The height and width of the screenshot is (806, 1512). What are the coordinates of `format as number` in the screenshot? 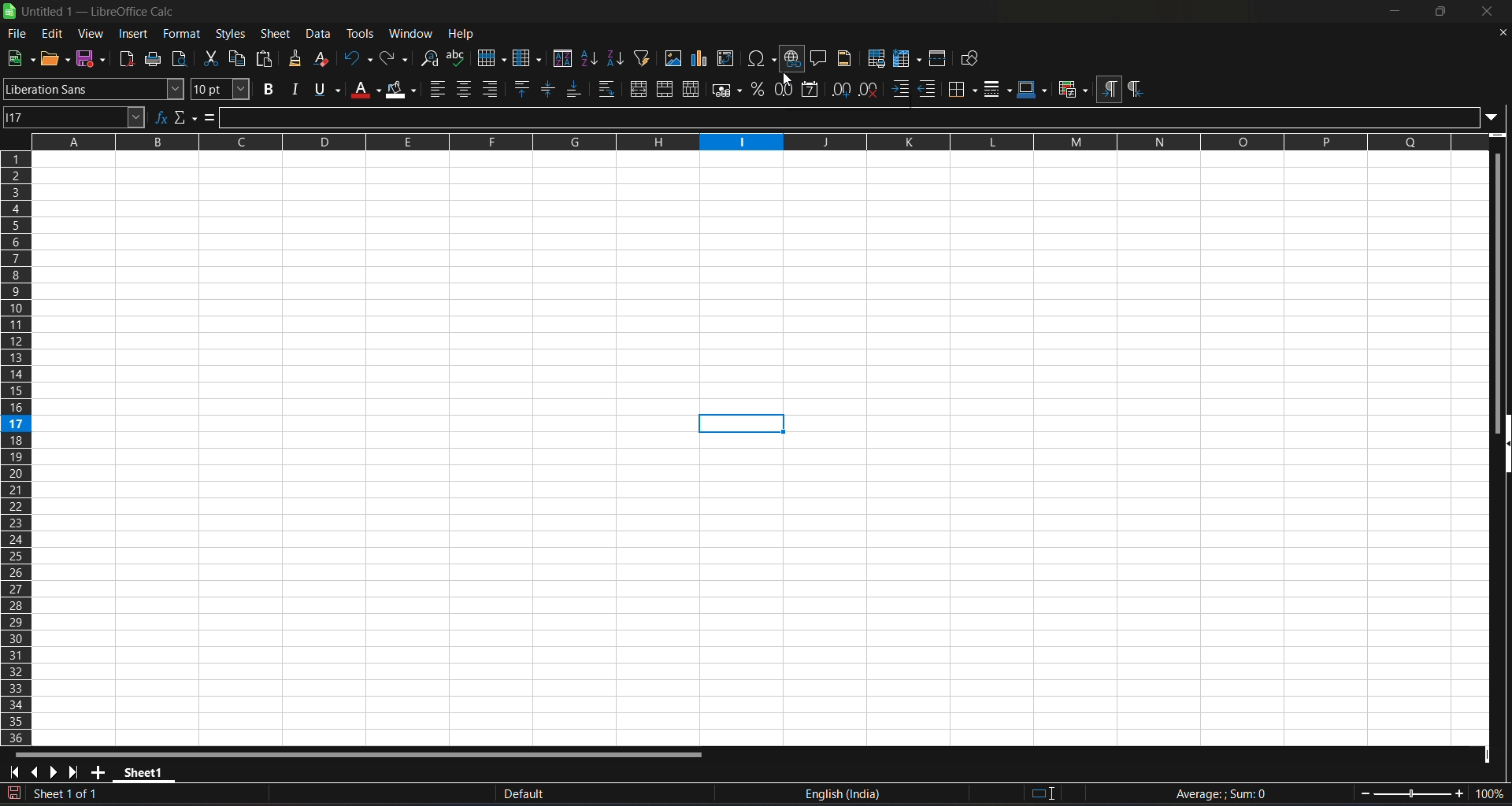 It's located at (783, 90).